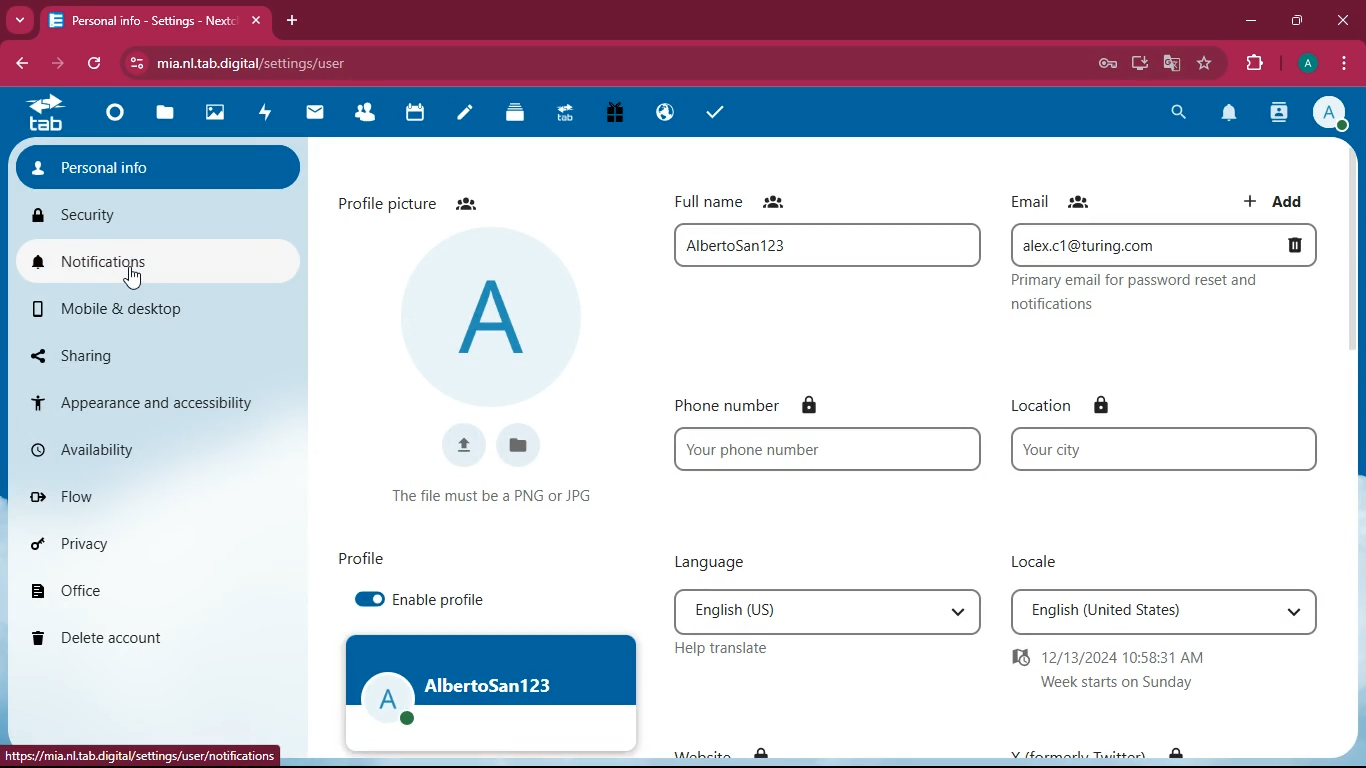 The width and height of the screenshot is (1366, 768). What do you see at coordinates (415, 114) in the screenshot?
I see `calendar` at bounding box center [415, 114].